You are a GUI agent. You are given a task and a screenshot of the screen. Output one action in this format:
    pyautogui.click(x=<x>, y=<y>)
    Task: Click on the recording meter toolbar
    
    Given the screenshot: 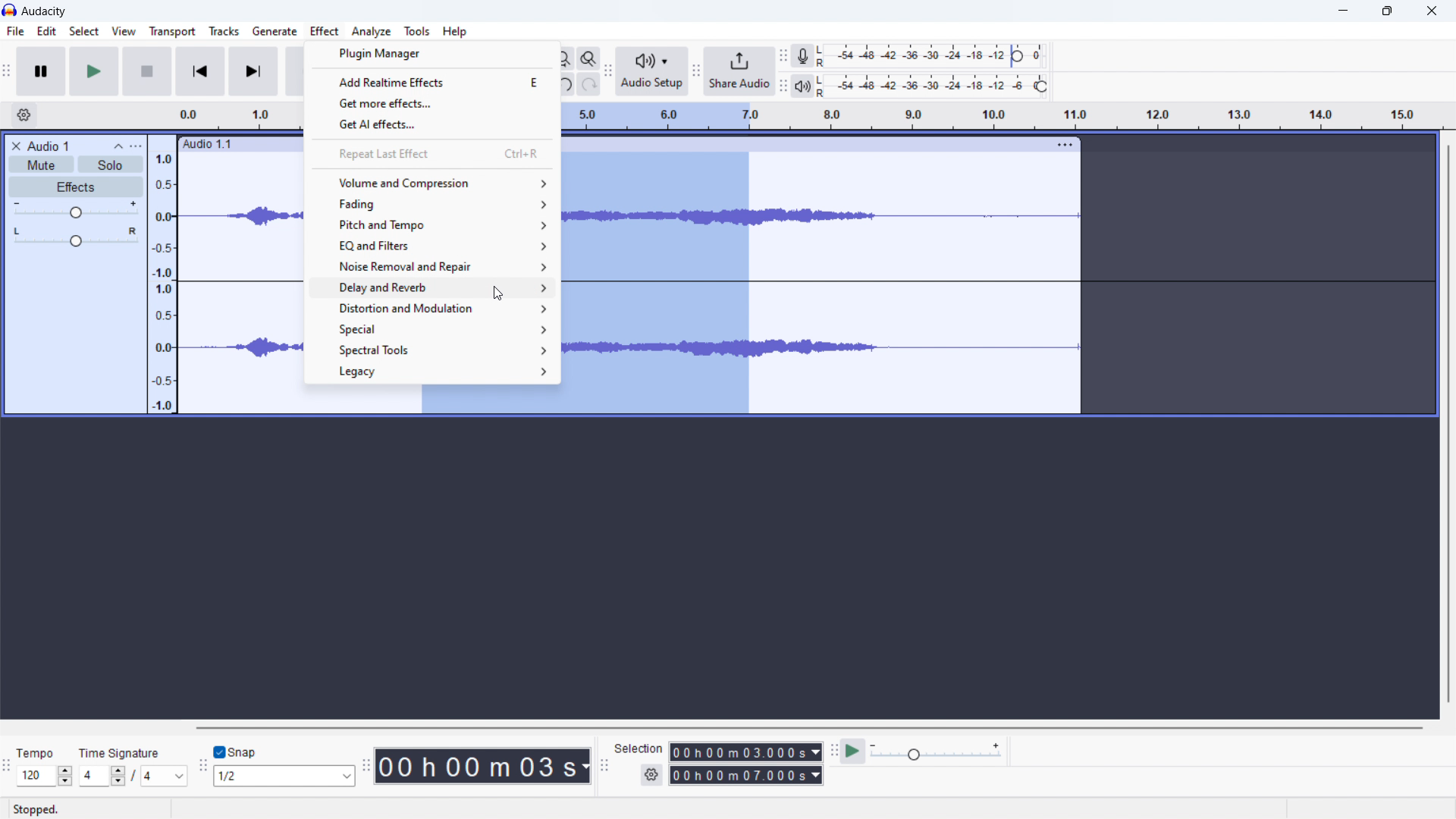 What is the action you would take?
    pyautogui.click(x=783, y=56)
    